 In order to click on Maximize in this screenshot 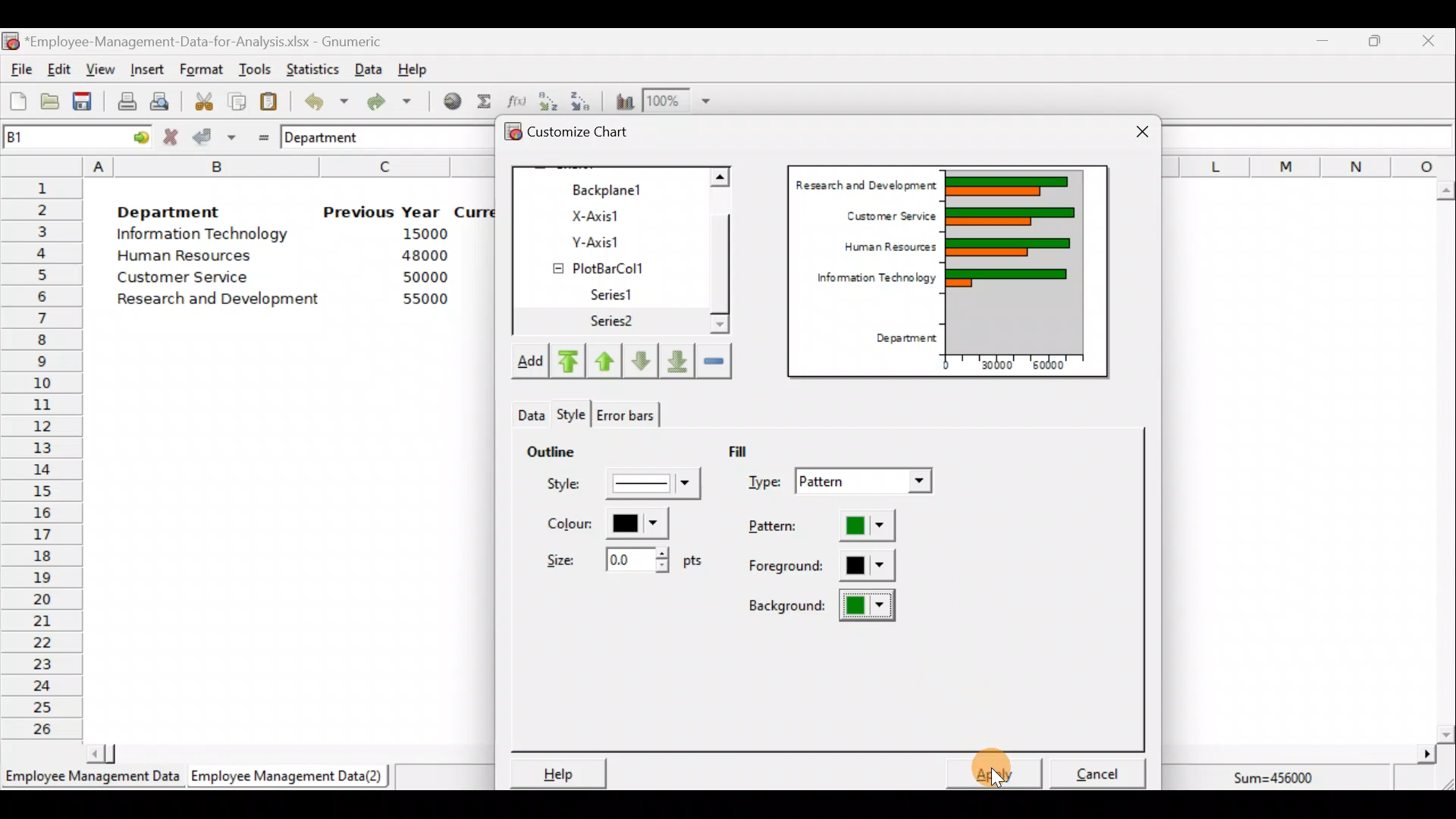, I will do `click(1375, 40)`.